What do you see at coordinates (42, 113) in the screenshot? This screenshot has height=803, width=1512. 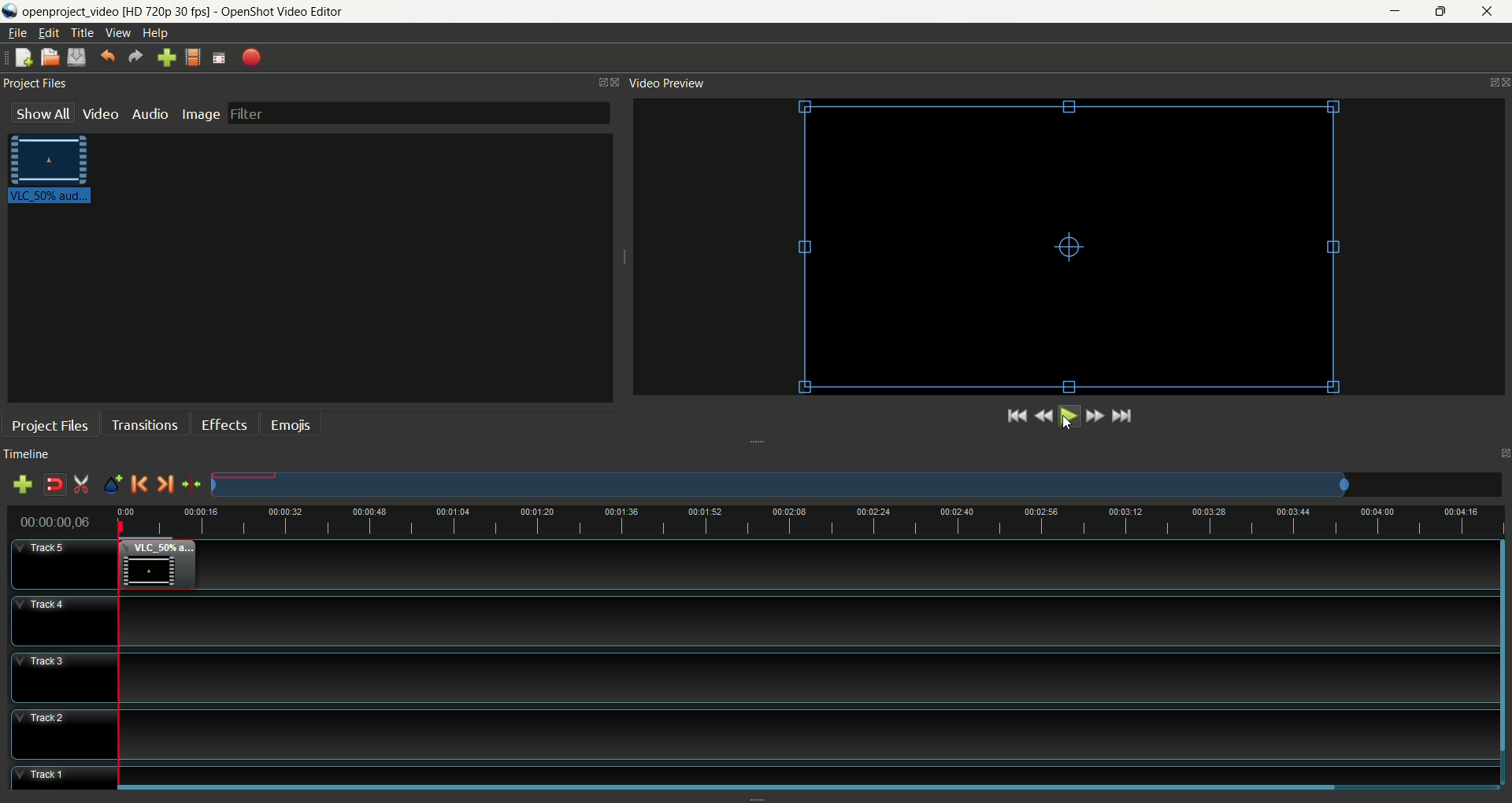 I see `show all` at bounding box center [42, 113].